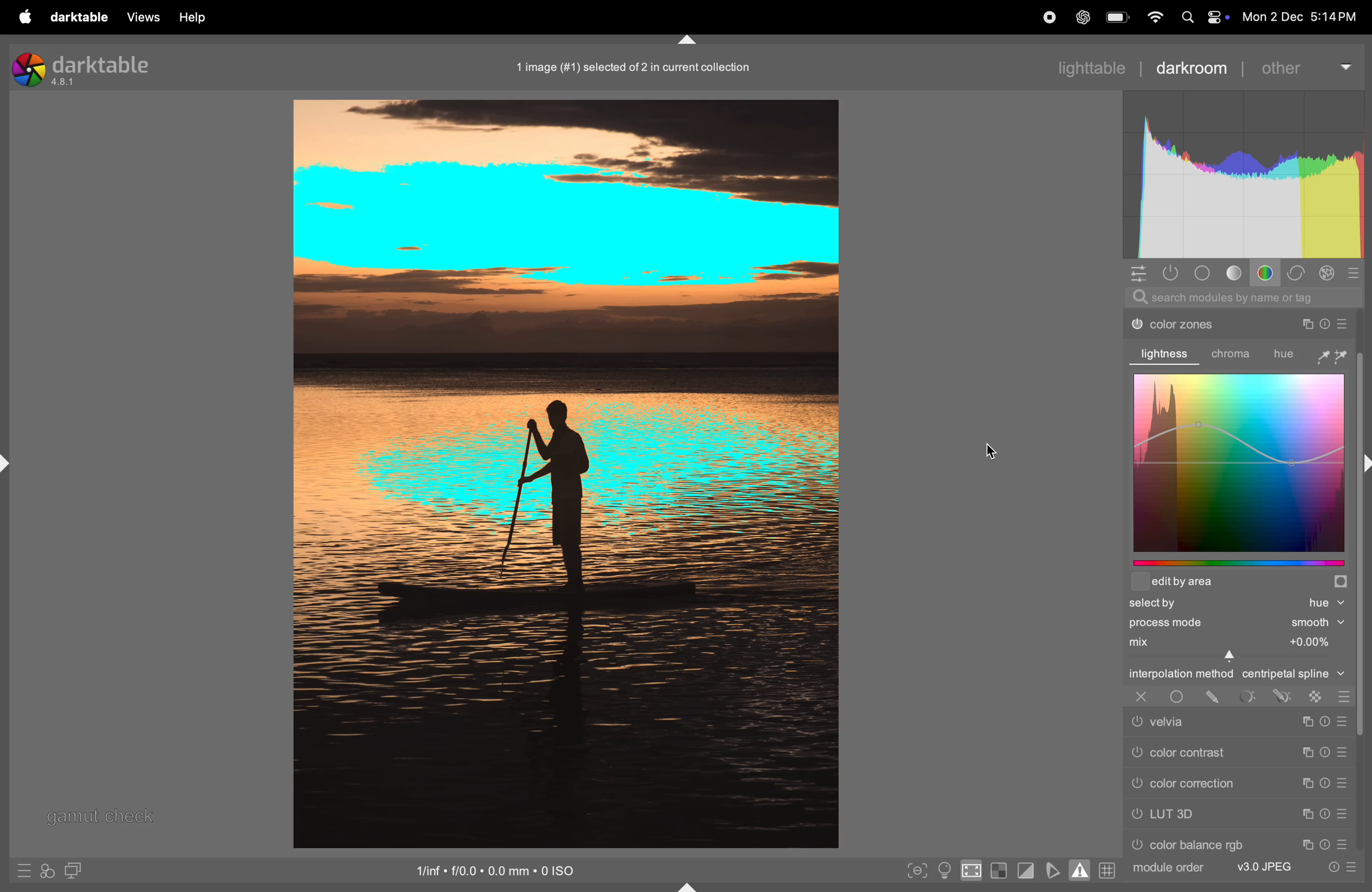  Describe the element at coordinates (1326, 273) in the screenshot. I see `` at that location.